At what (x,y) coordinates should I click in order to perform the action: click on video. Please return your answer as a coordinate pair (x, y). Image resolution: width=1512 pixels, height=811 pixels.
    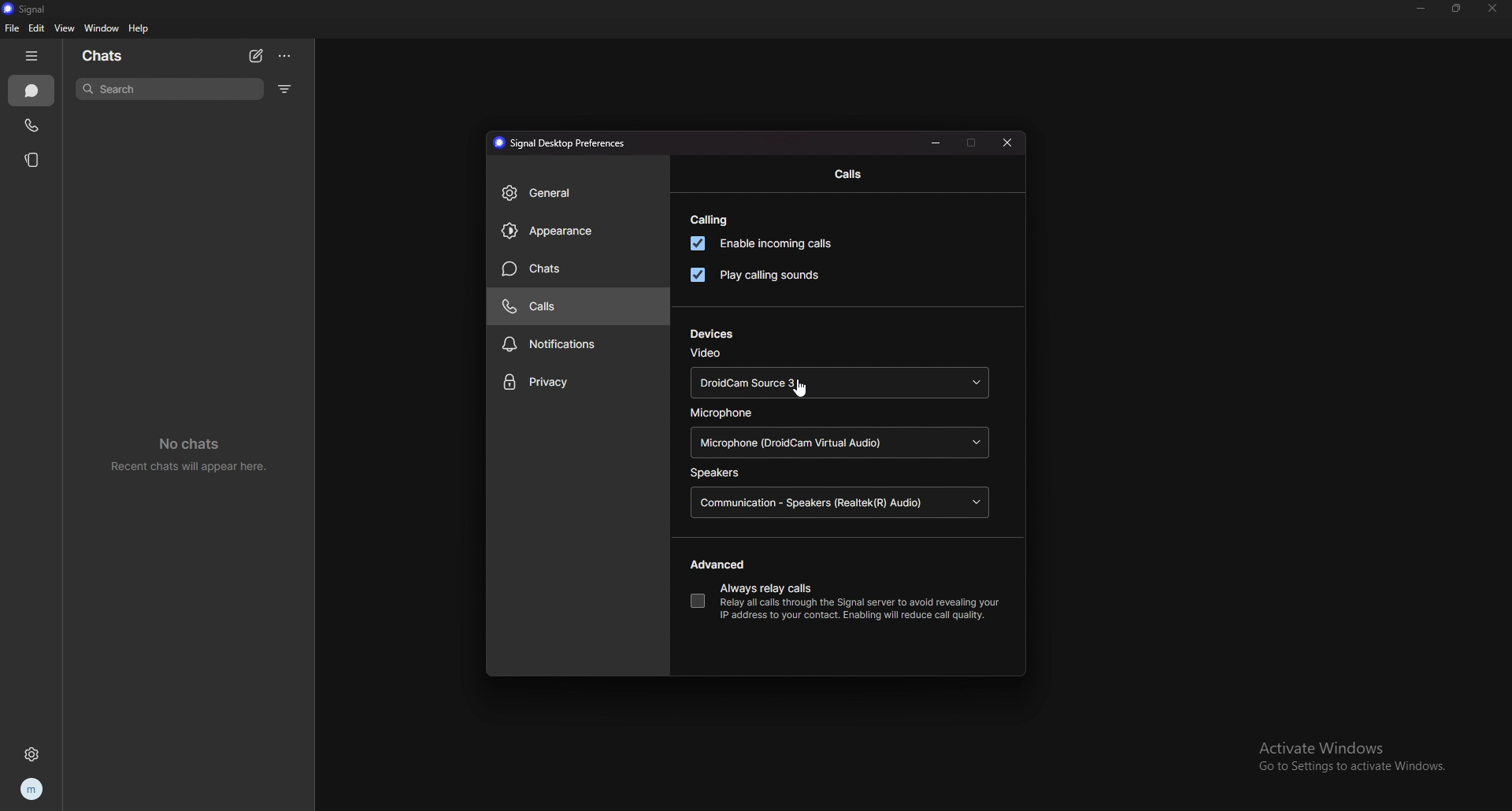
    Looking at the image, I should click on (706, 353).